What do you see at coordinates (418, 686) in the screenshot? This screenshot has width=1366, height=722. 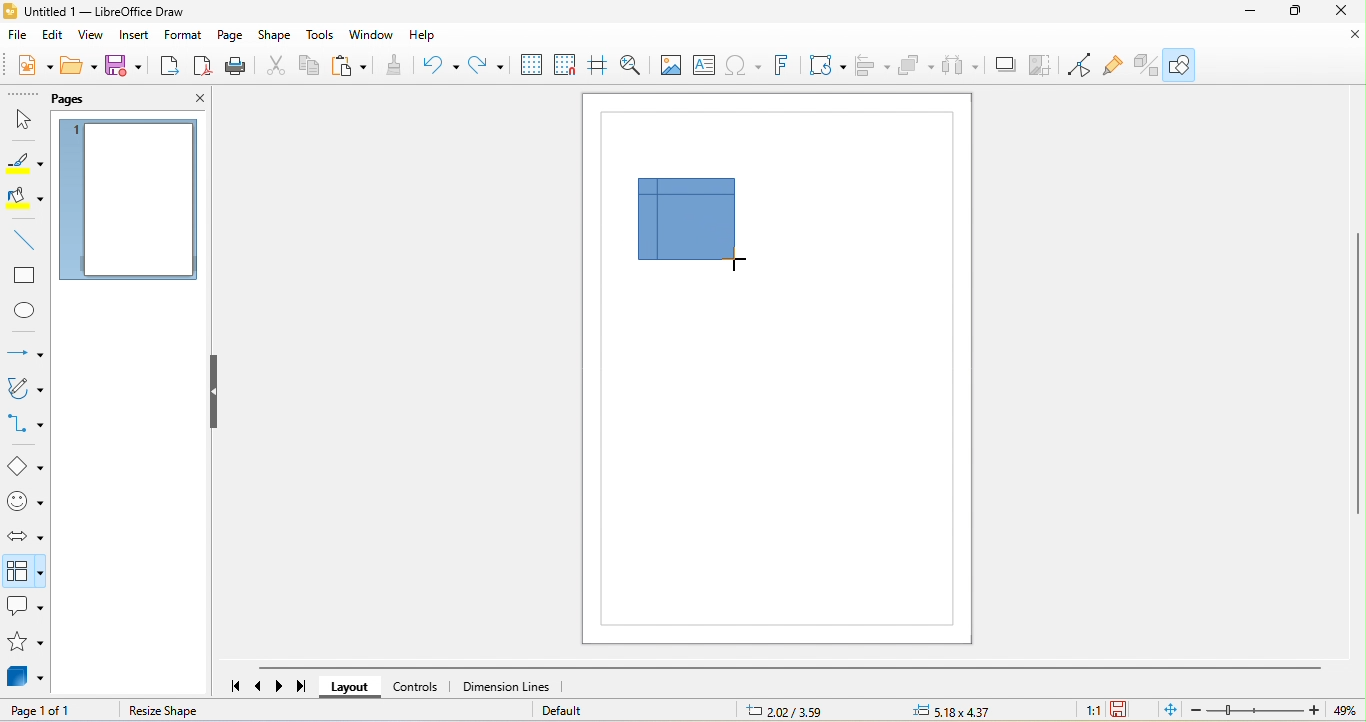 I see `controls` at bounding box center [418, 686].